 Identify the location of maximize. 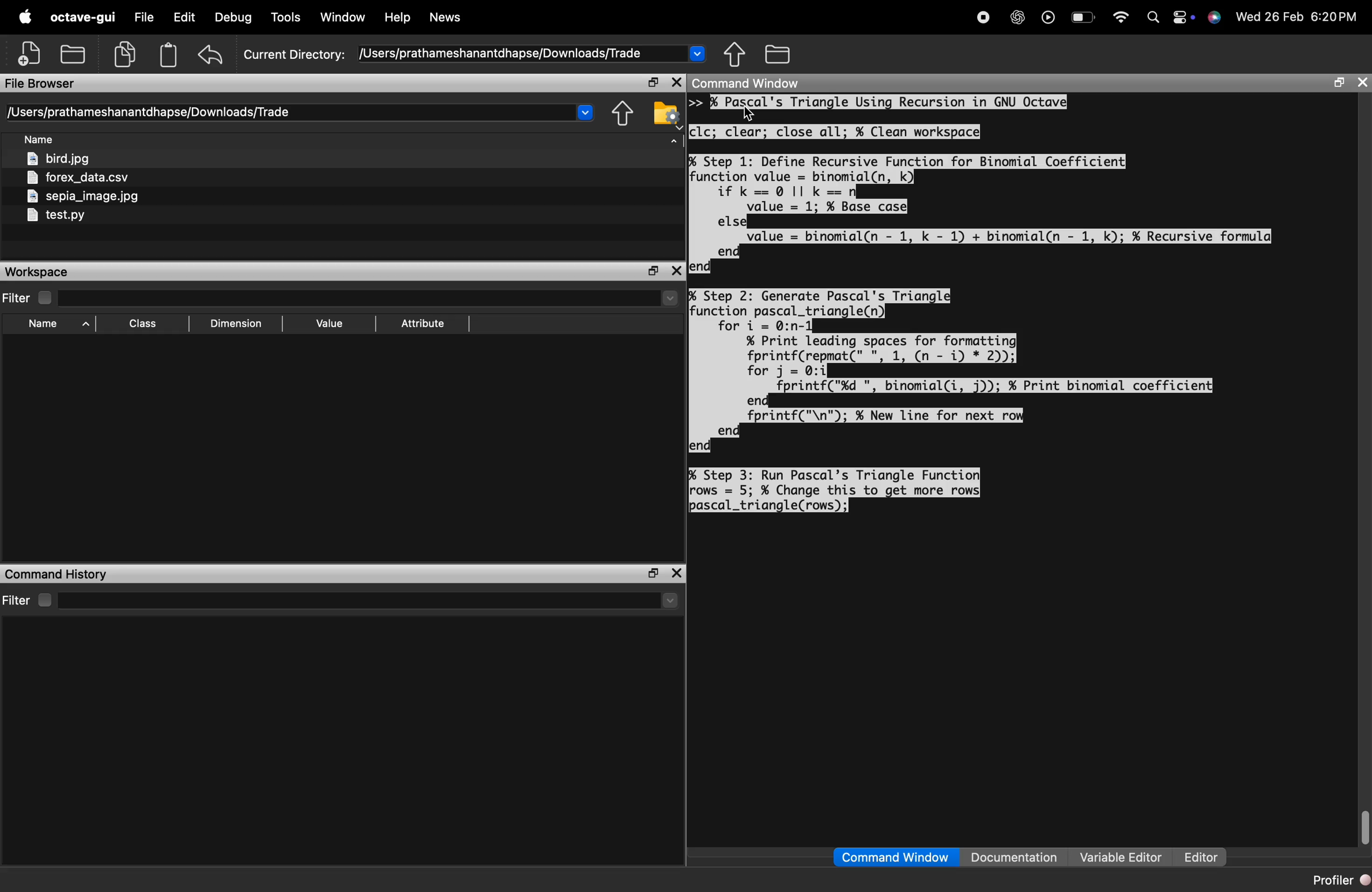
(653, 83).